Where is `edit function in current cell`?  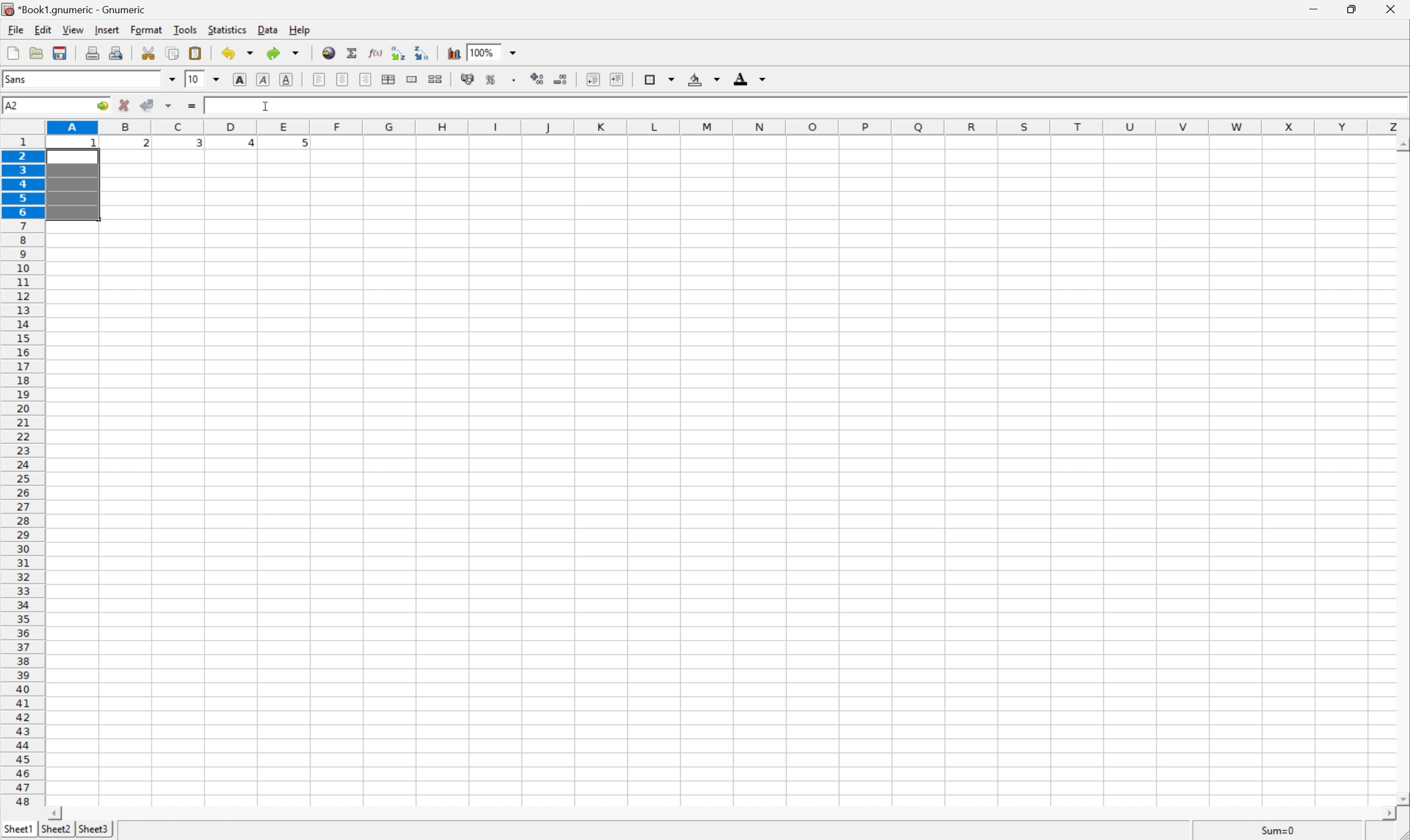 edit function in current cell is located at coordinates (377, 54).